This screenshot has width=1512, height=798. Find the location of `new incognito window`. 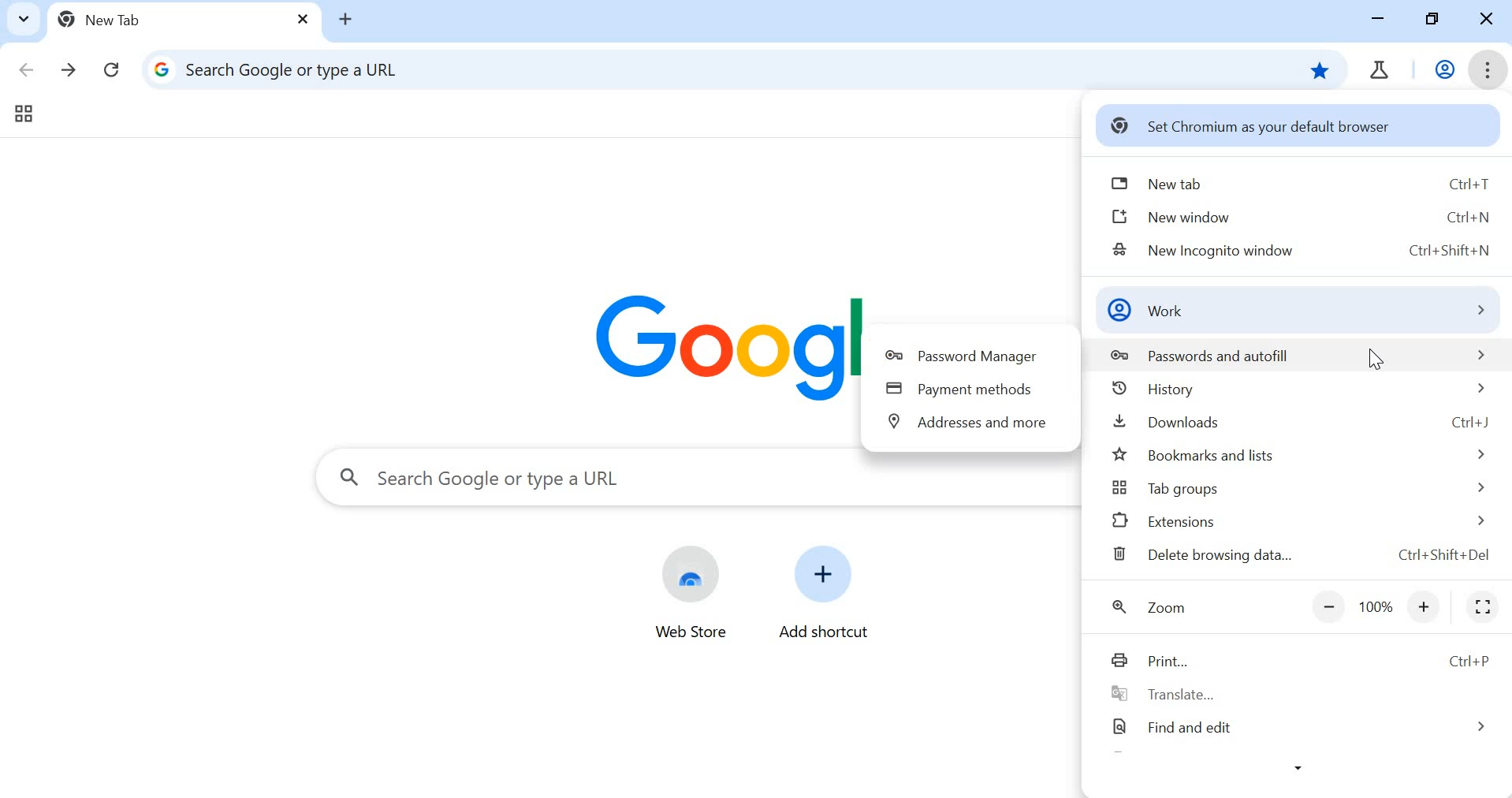

new incognito window is located at coordinates (1303, 250).